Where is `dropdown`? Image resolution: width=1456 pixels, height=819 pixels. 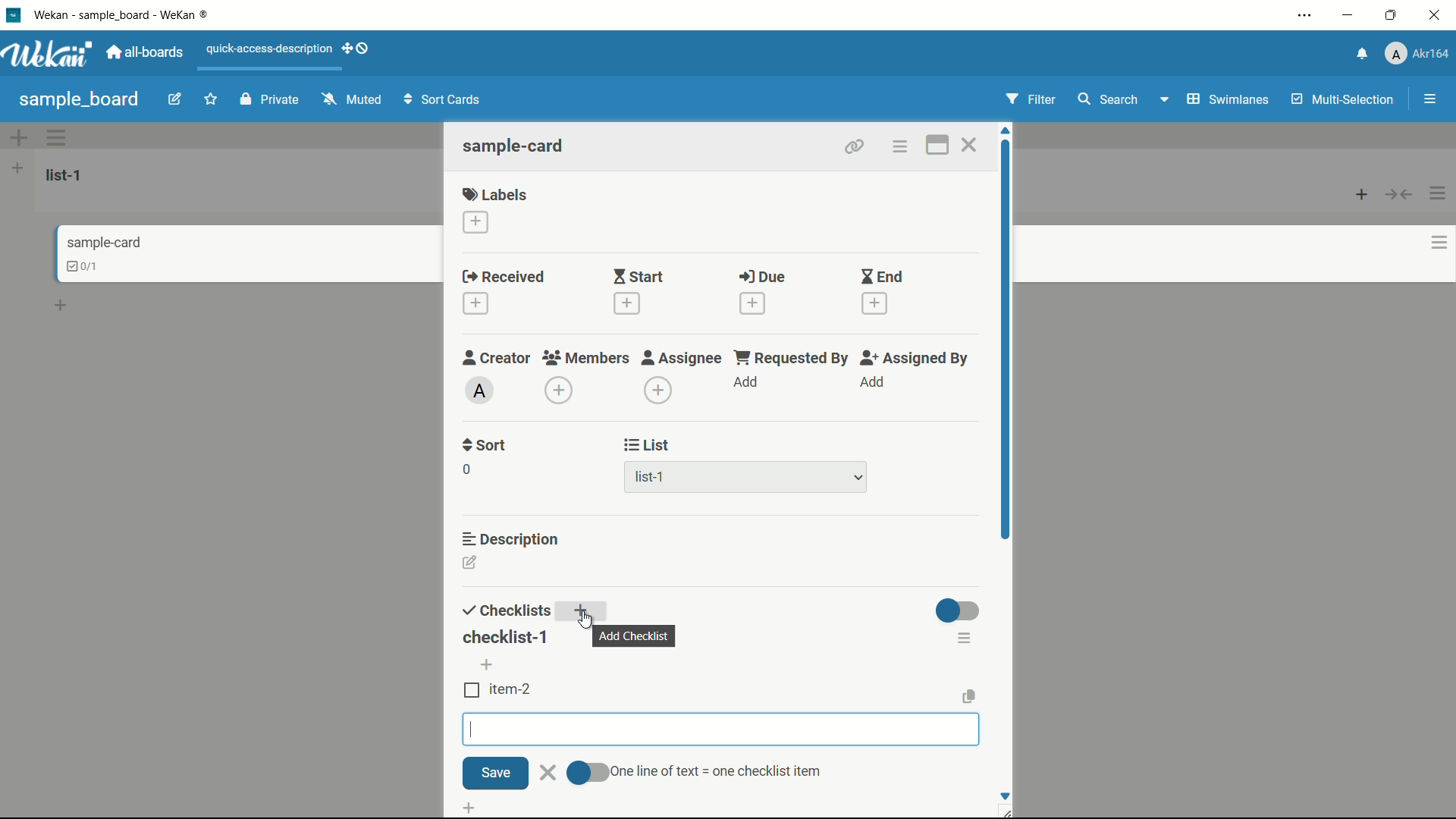 dropdown is located at coordinates (1163, 102).